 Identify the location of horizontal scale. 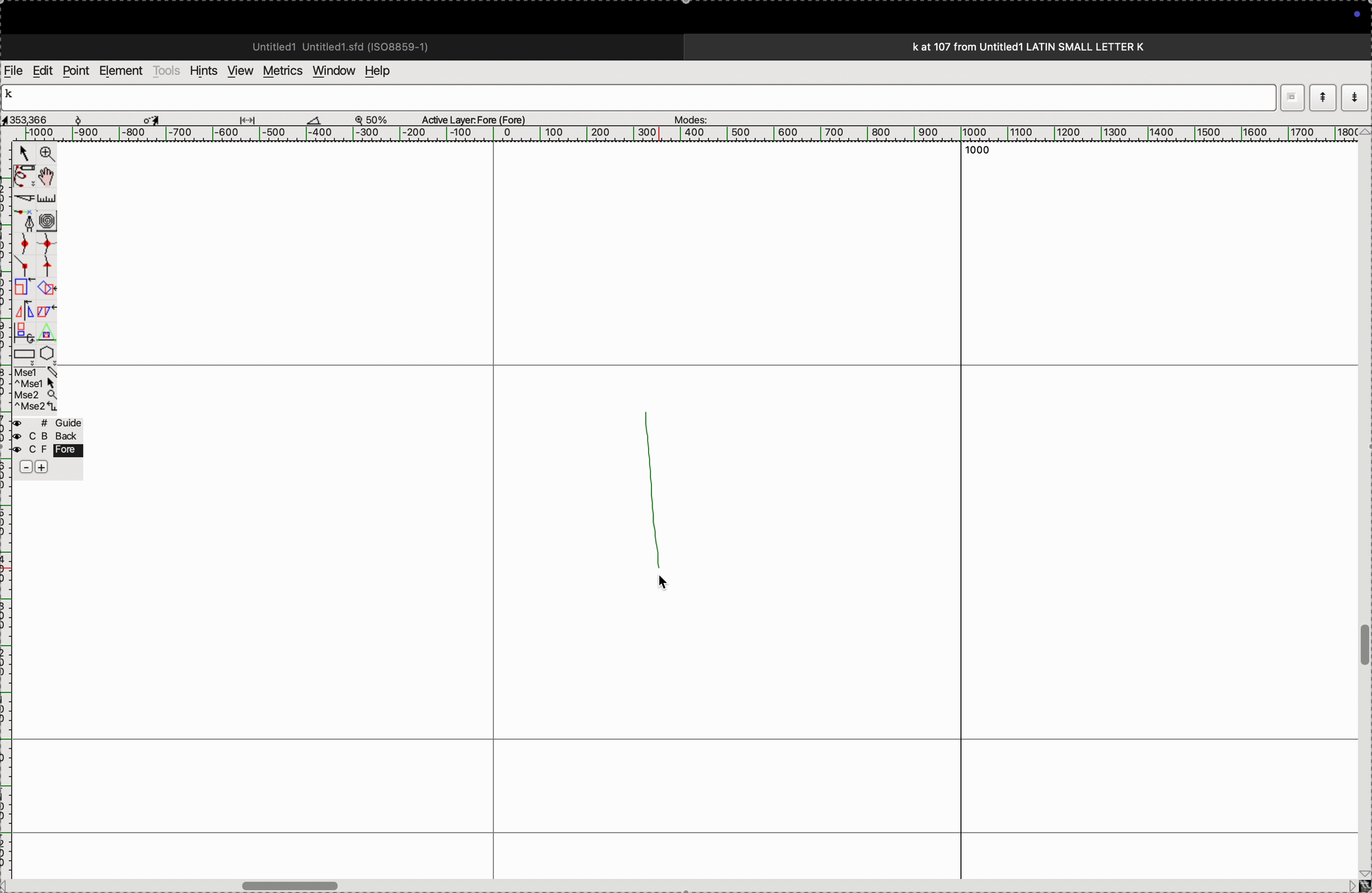
(673, 134).